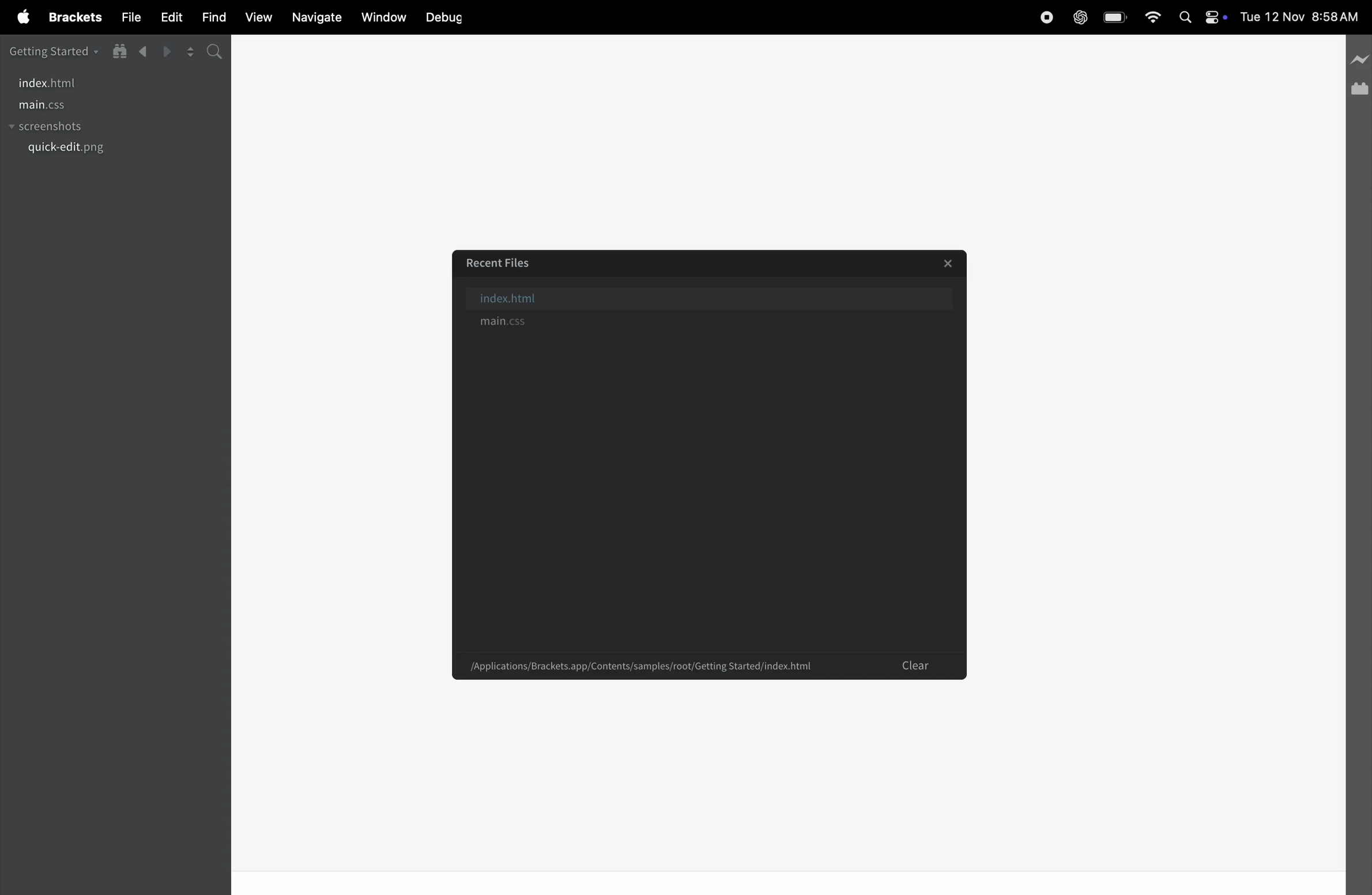  I want to click on wifi, so click(1150, 17).